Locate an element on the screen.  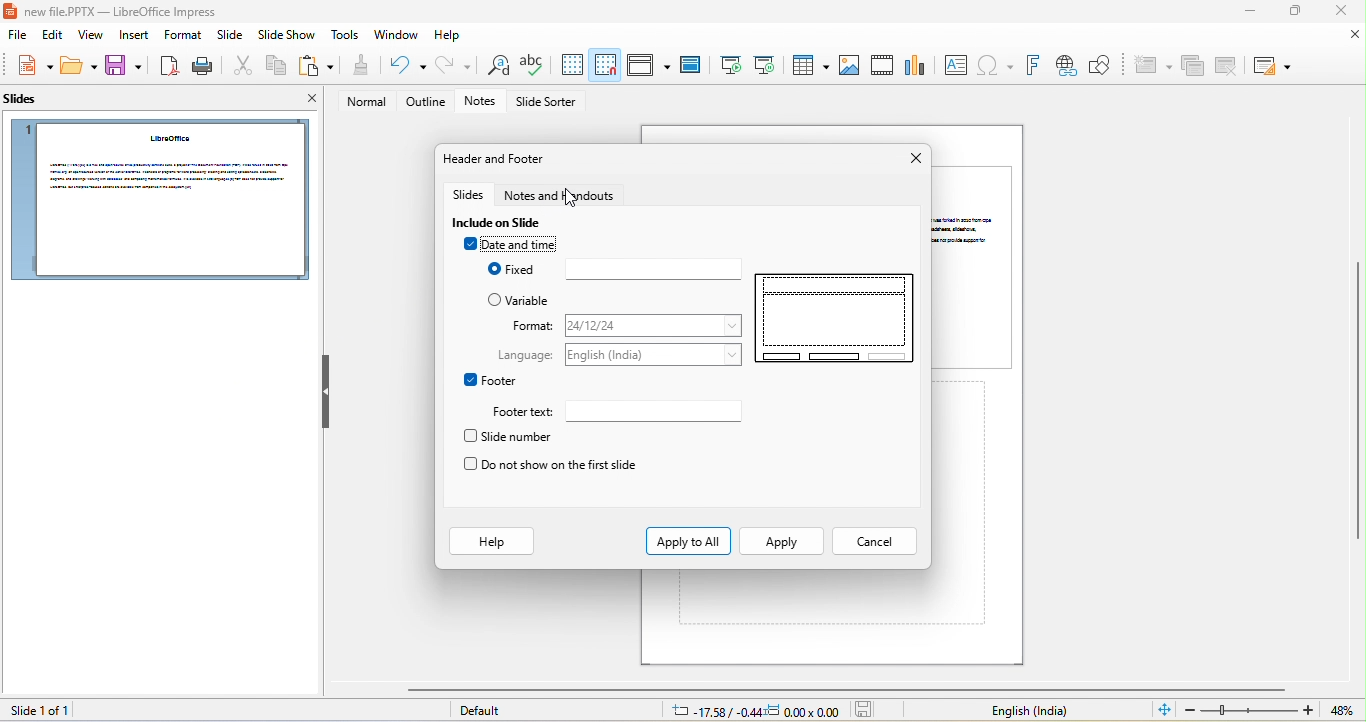
file is located at coordinates (14, 36).